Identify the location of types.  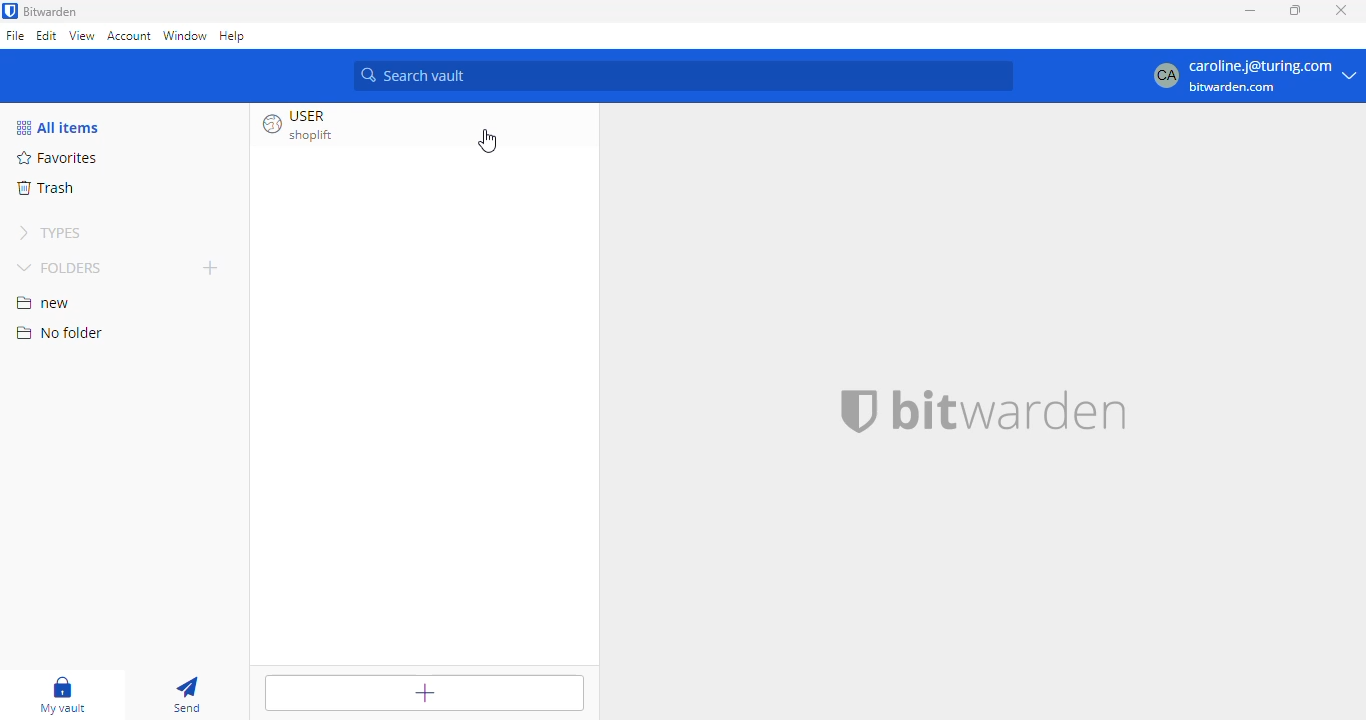
(51, 233).